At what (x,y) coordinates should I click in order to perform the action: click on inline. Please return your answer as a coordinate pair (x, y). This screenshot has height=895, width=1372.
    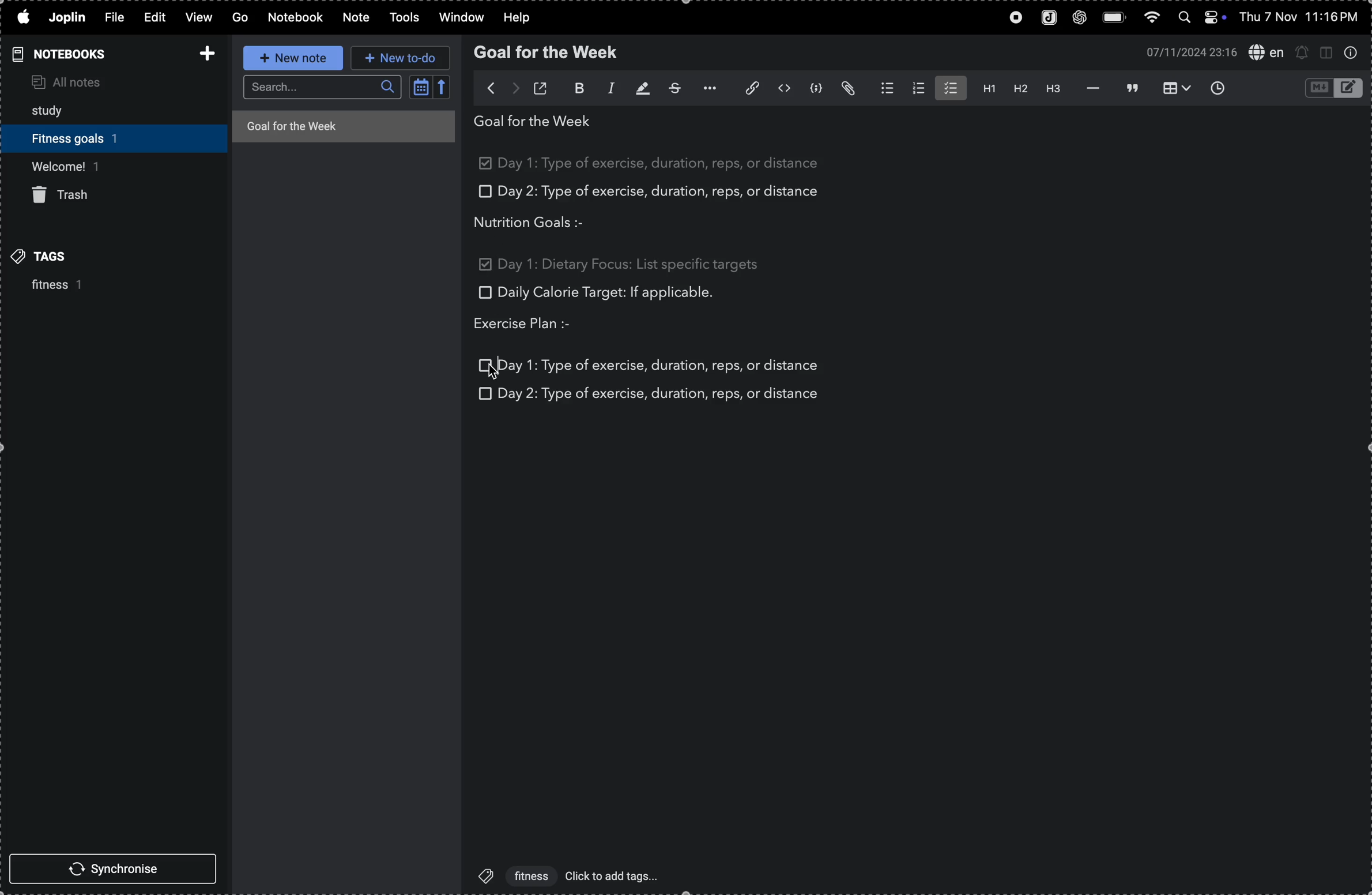
    Looking at the image, I should click on (782, 89).